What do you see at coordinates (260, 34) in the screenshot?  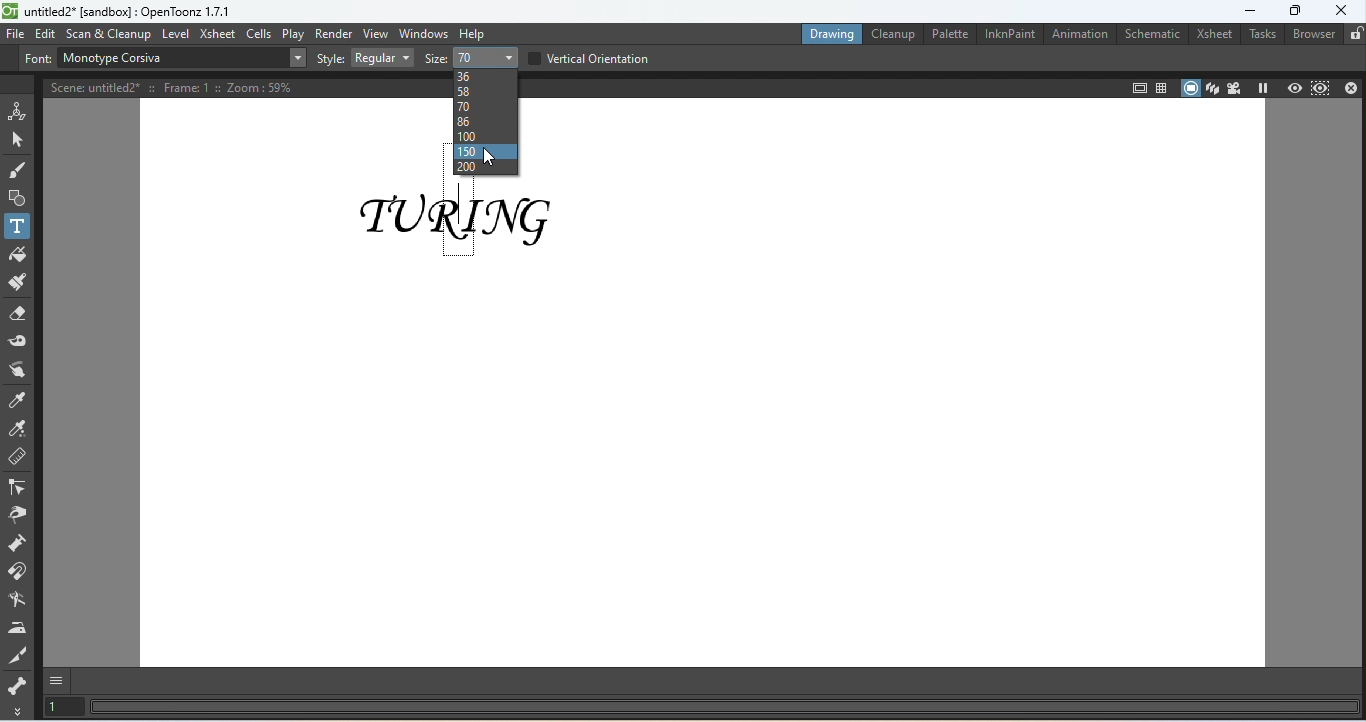 I see `Cells` at bounding box center [260, 34].